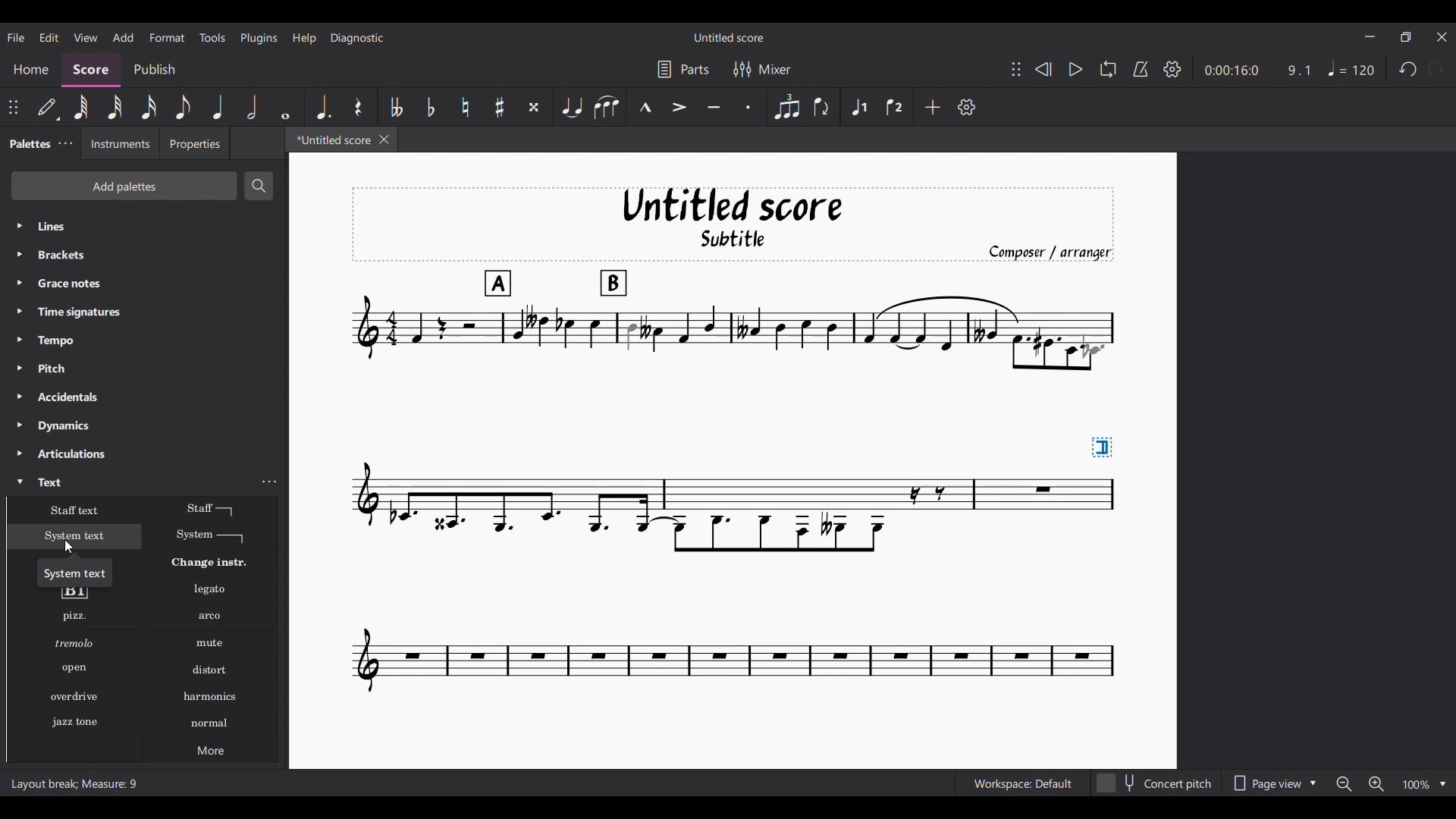 Image resolution: width=1456 pixels, height=819 pixels. What do you see at coordinates (16, 37) in the screenshot?
I see `File menu` at bounding box center [16, 37].